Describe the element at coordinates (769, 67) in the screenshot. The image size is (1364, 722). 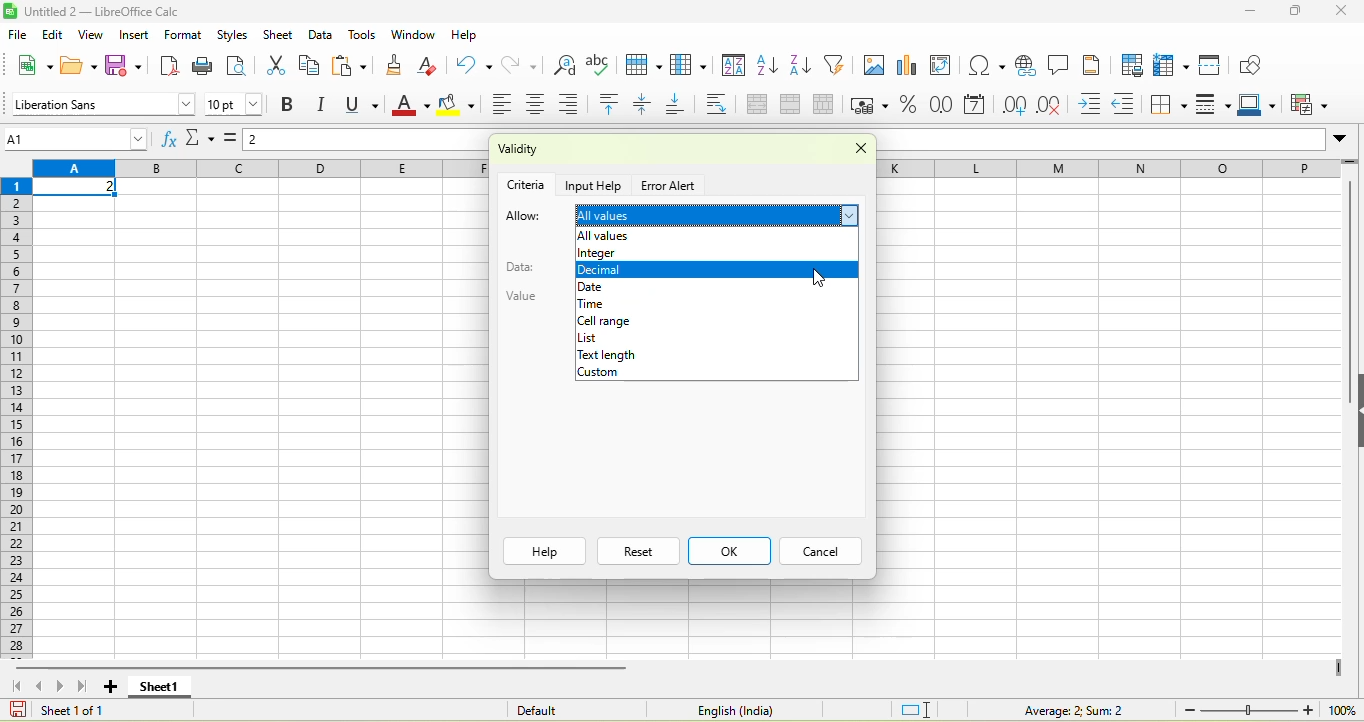
I see `sort ascending` at that location.